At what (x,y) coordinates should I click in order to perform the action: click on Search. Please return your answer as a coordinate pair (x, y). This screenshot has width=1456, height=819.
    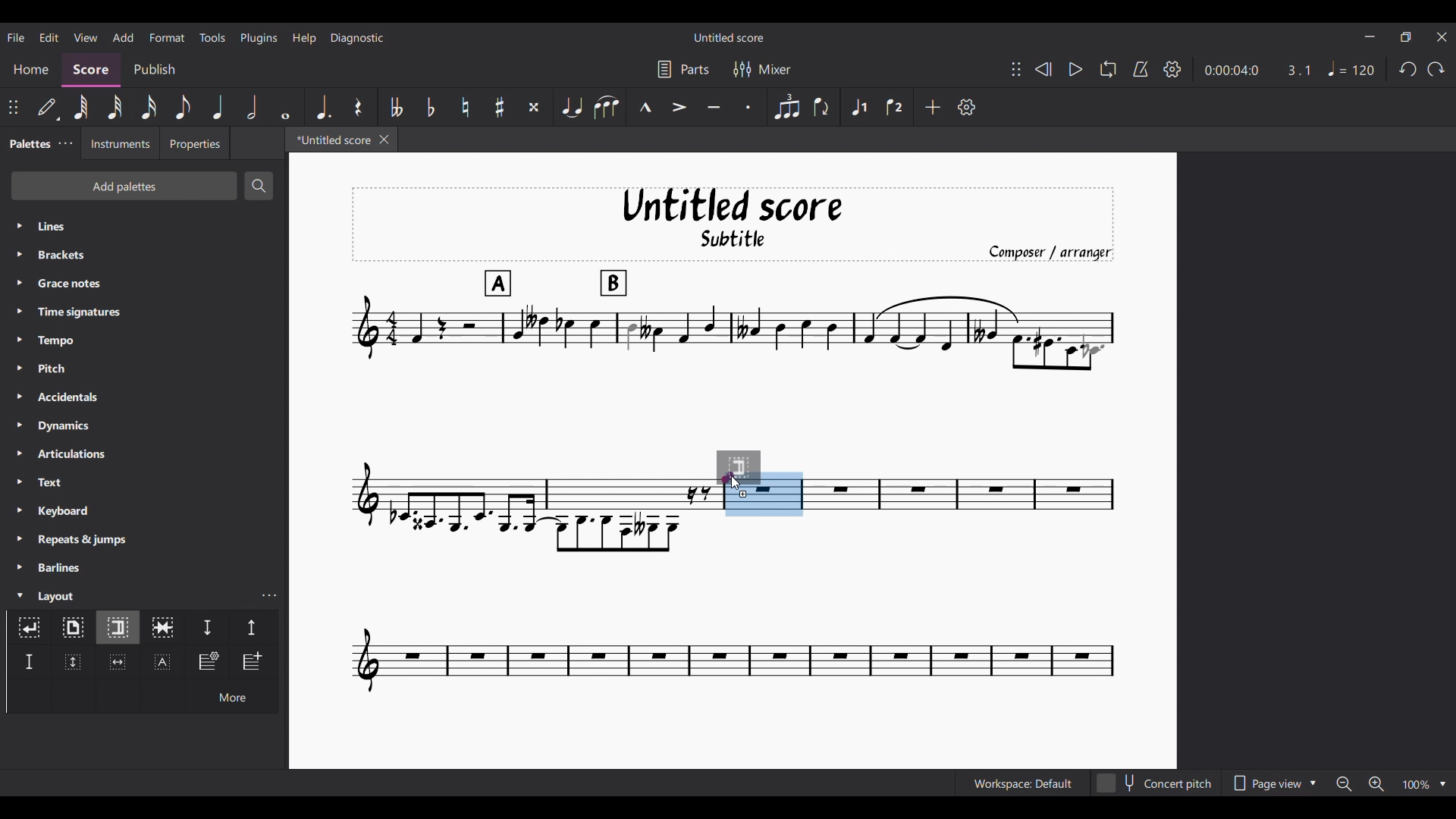
    Looking at the image, I should click on (257, 186).